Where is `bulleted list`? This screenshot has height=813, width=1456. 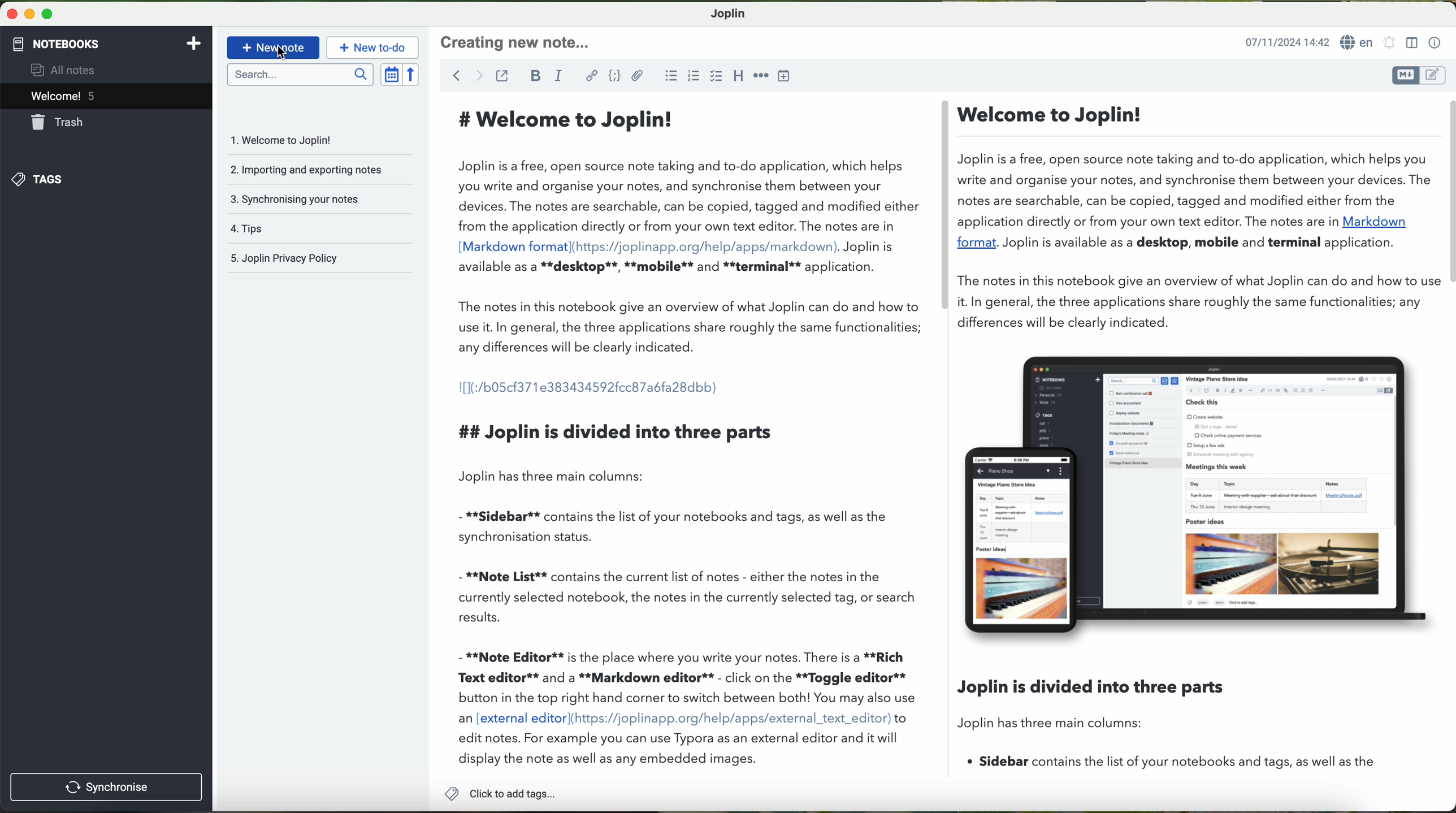 bulleted list is located at coordinates (670, 77).